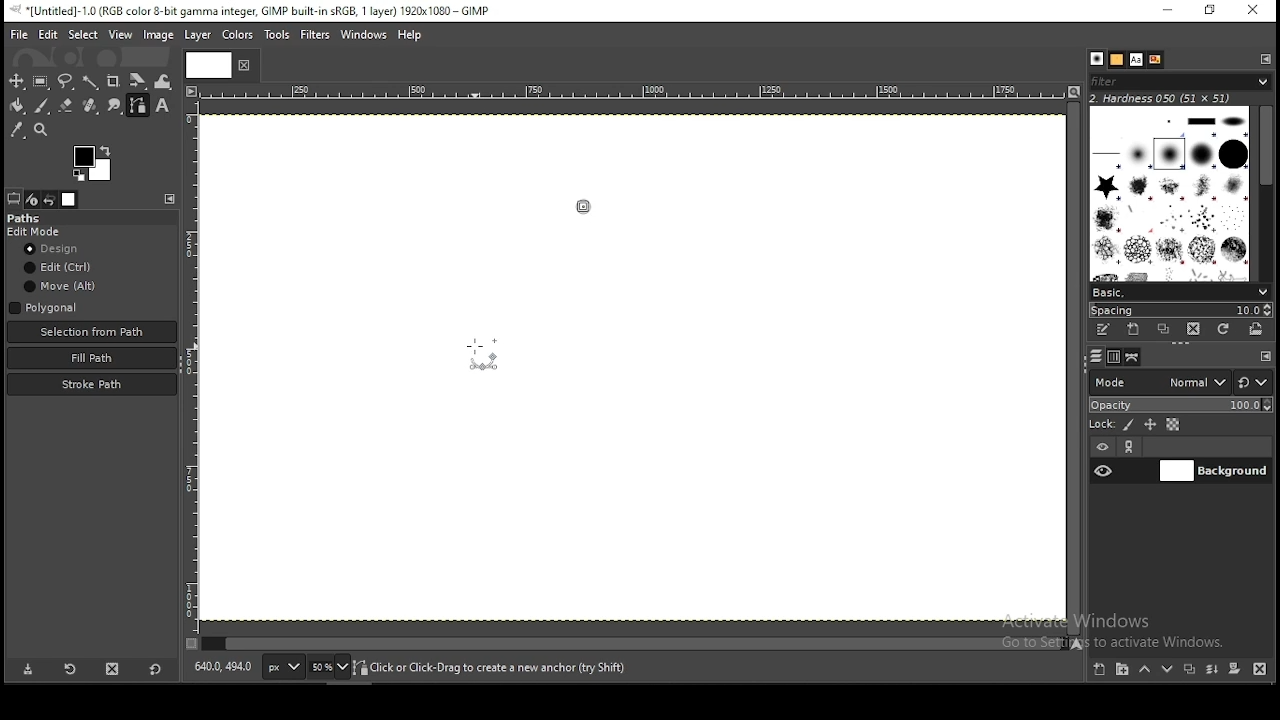  What do you see at coordinates (19, 35) in the screenshot?
I see `file` at bounding box center [19, 35].